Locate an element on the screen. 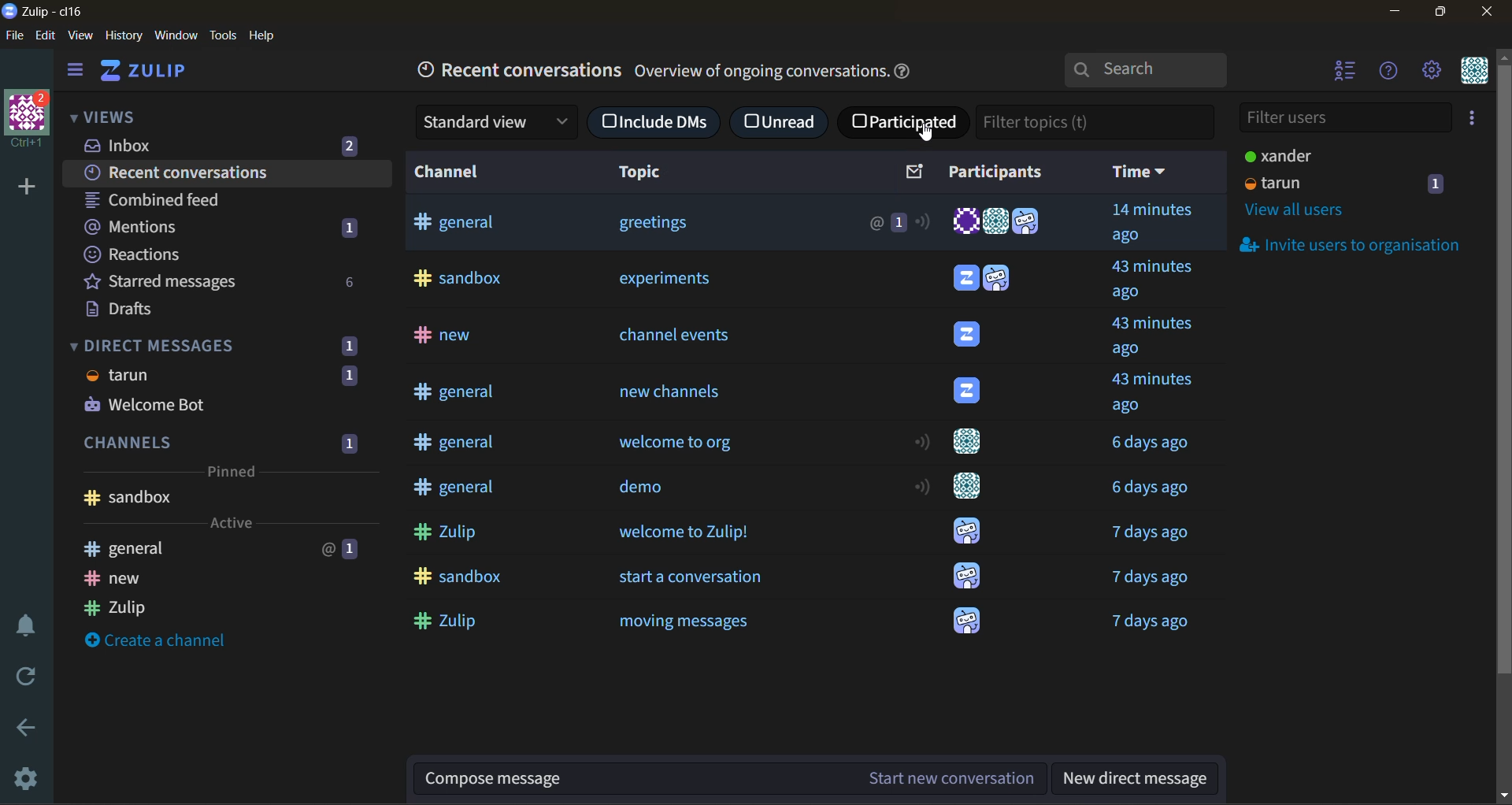 The image size is (1512, 805). help is located at coordinates (263, 36).